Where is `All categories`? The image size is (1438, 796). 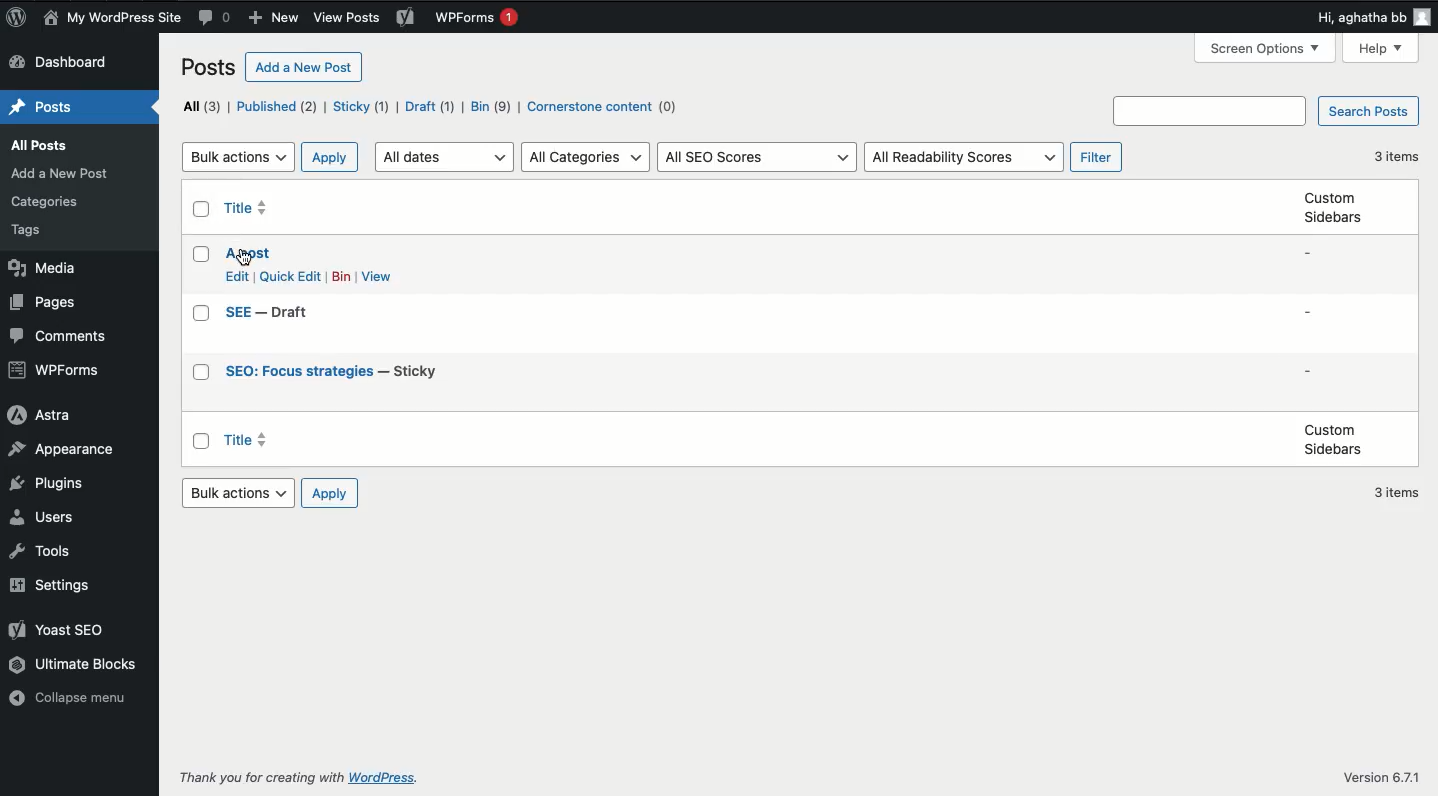 All categories is located at coordinates (585, 156).